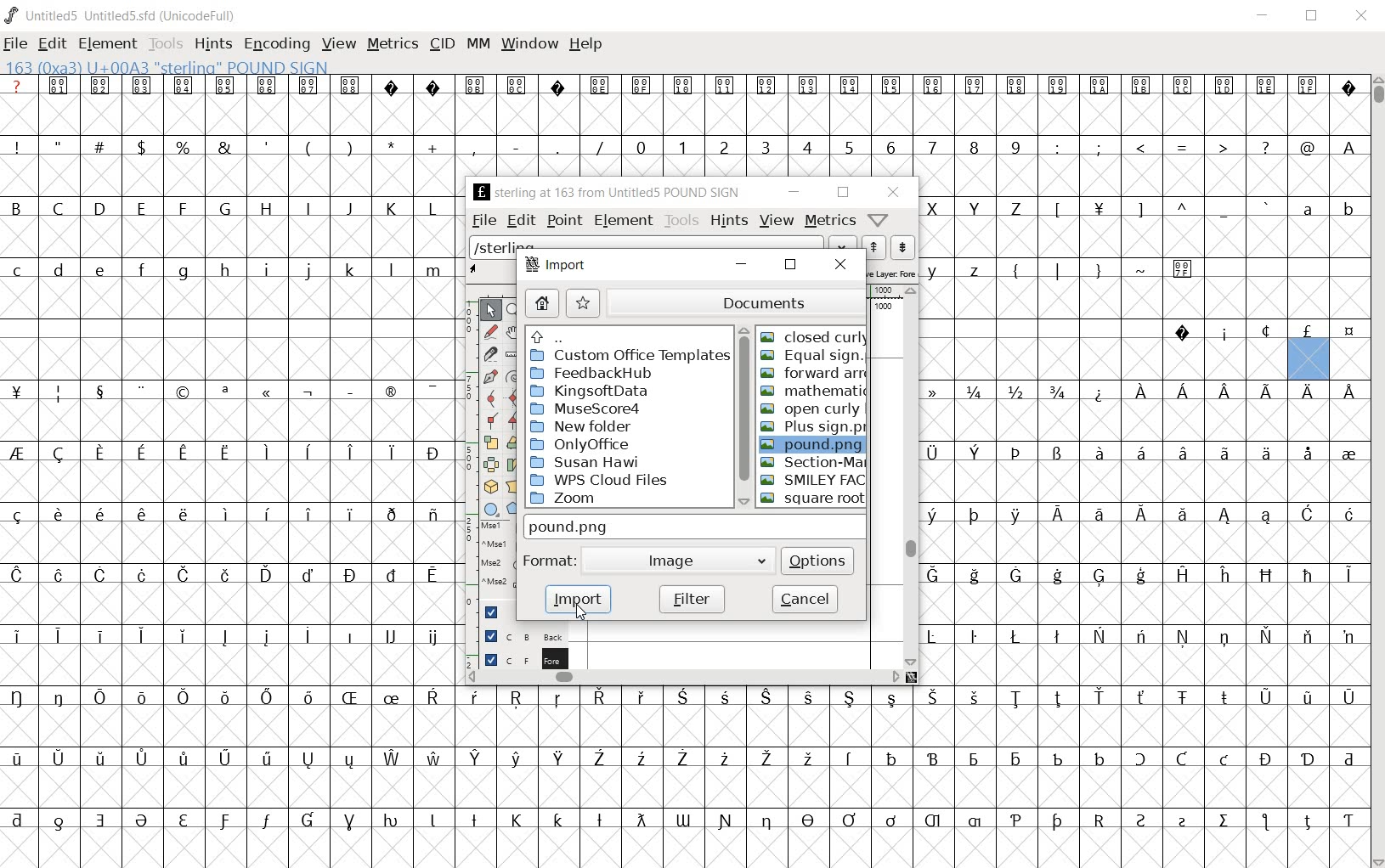  I want to click on Symbol, so click(1266, 575).